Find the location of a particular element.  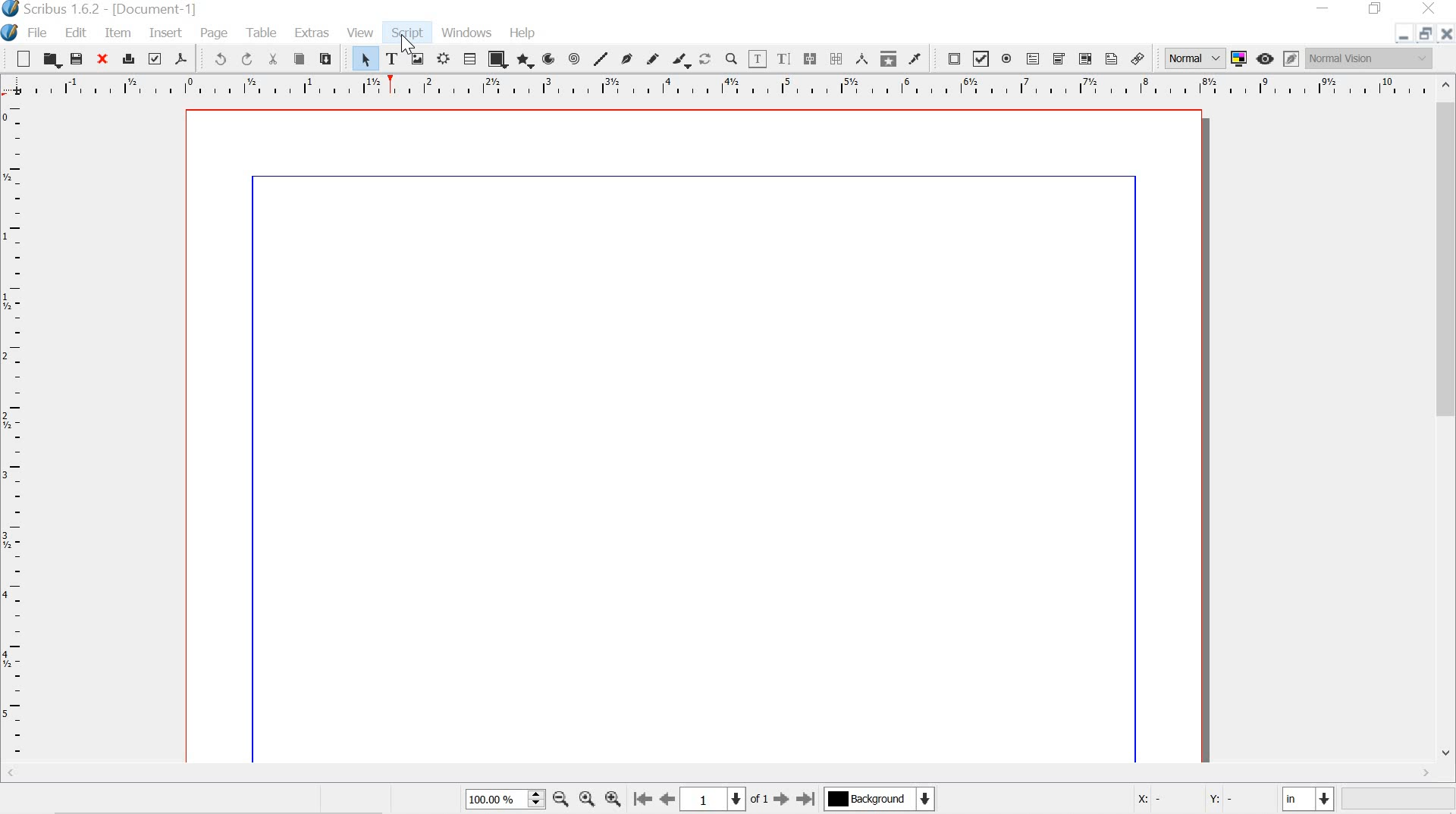

line is located at coordinates (600, 58).